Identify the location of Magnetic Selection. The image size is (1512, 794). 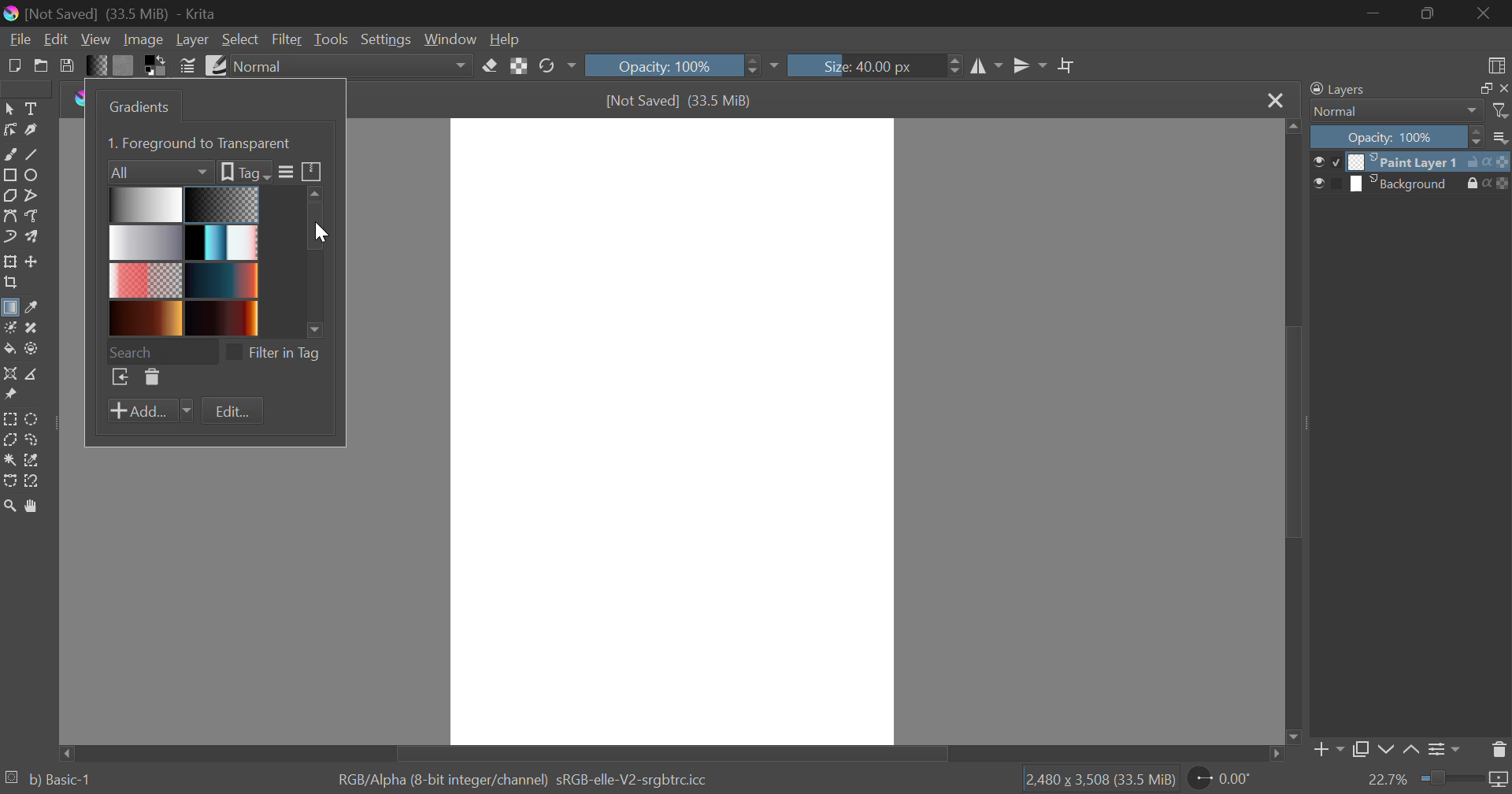
(31, 481).